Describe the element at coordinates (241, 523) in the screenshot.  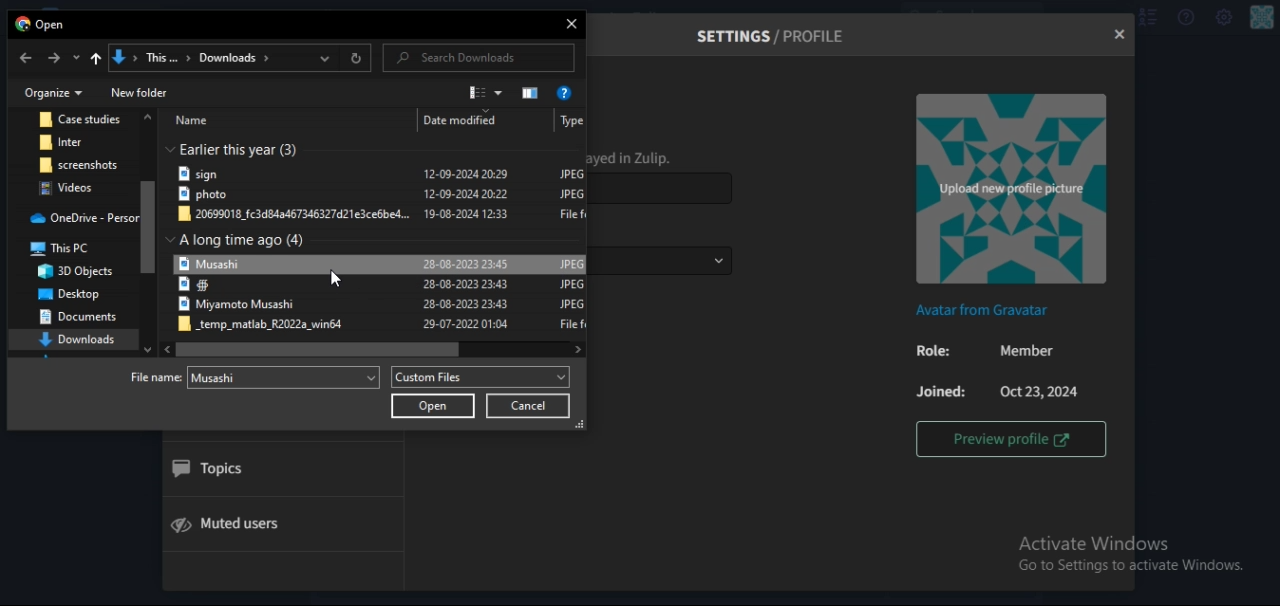
I see `Muted users` at that location.